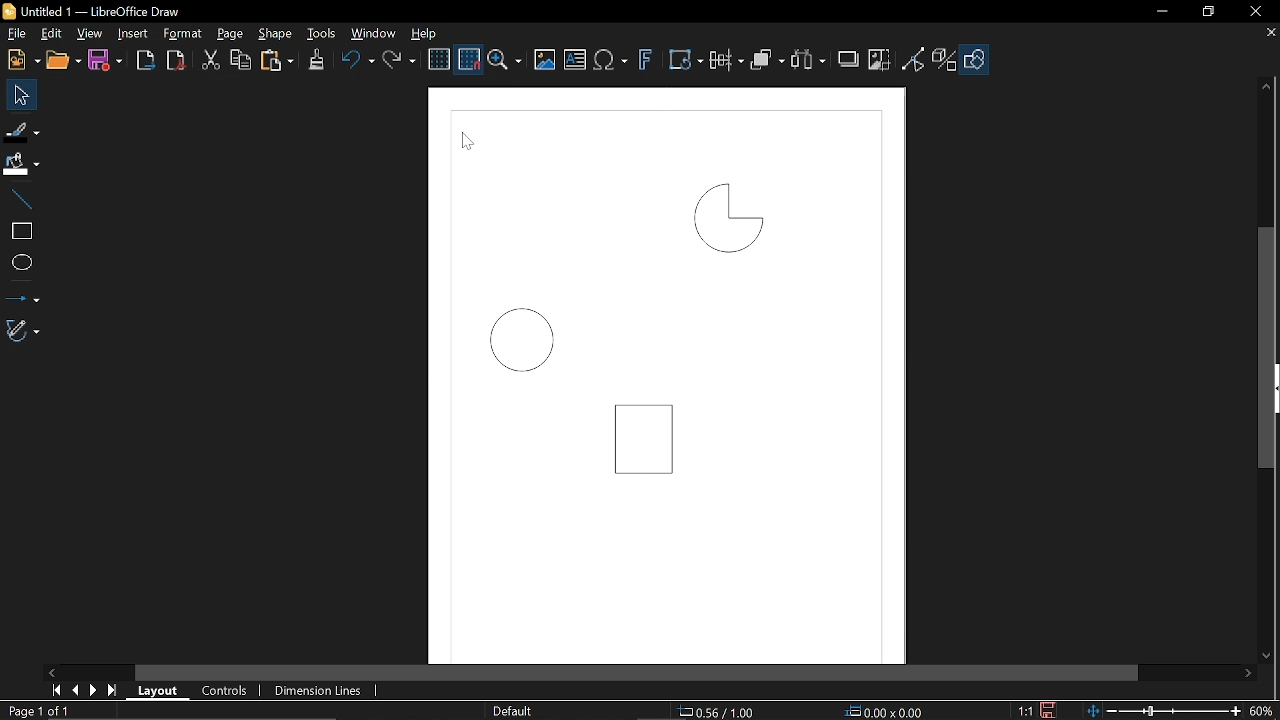  What do you see at coordinates (945, 60) in the screenshot?
I see `Toggle extrusion` at bounding box center [945, 60].